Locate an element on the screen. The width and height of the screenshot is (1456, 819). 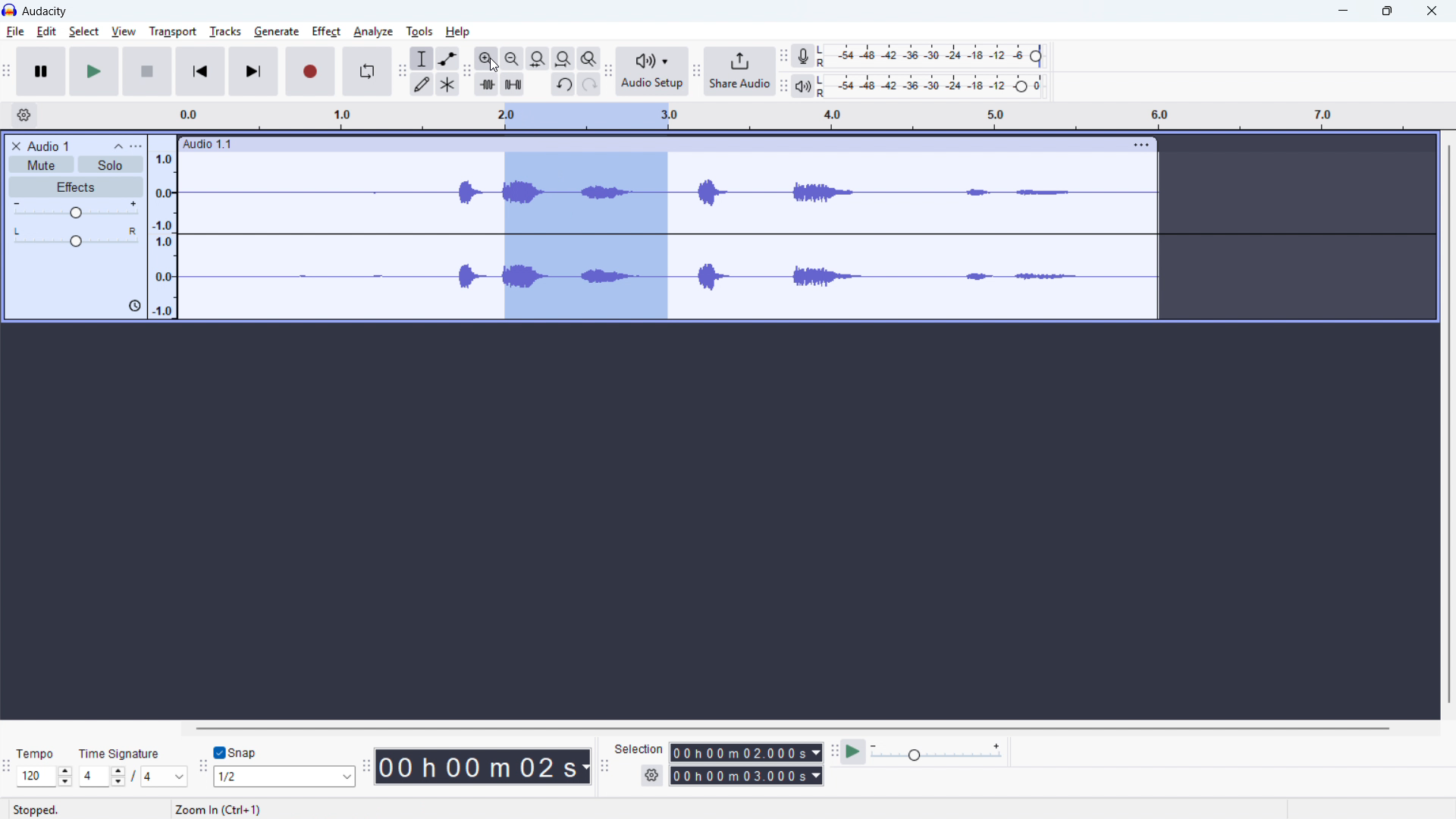
Select is located at coordinates (83, 32).